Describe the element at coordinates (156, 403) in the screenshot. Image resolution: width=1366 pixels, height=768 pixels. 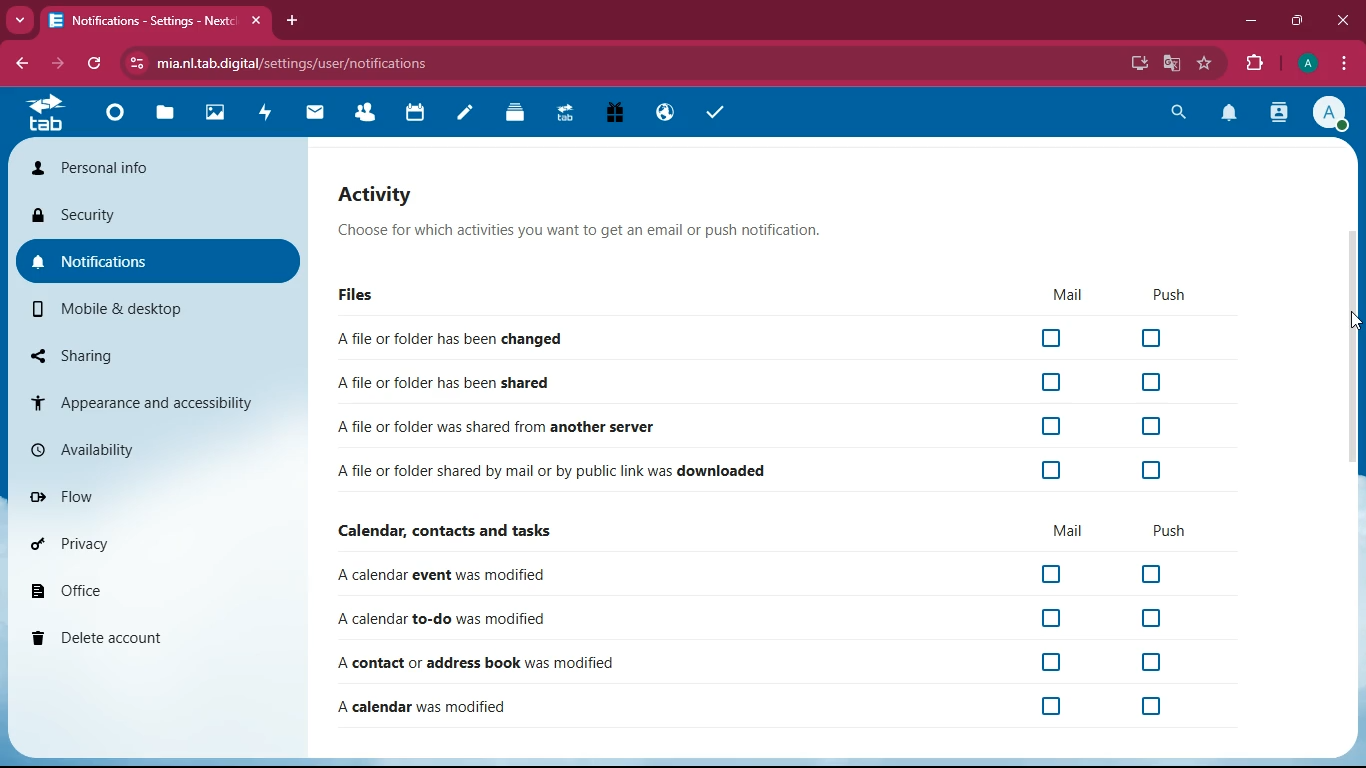
I see `appearance and accessibility` at that location.